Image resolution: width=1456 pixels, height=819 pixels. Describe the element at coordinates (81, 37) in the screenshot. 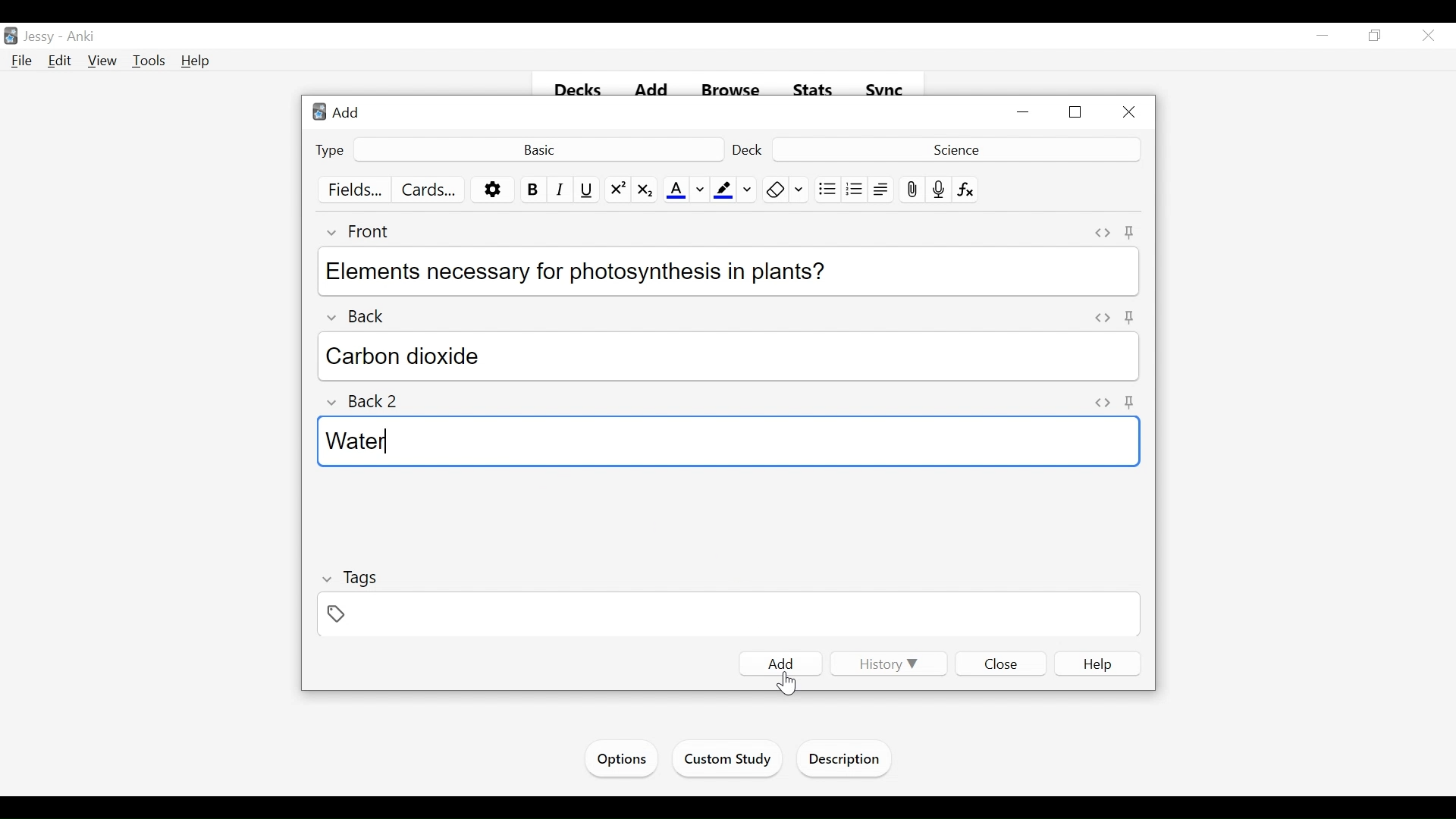

I see `Anki` at that location.